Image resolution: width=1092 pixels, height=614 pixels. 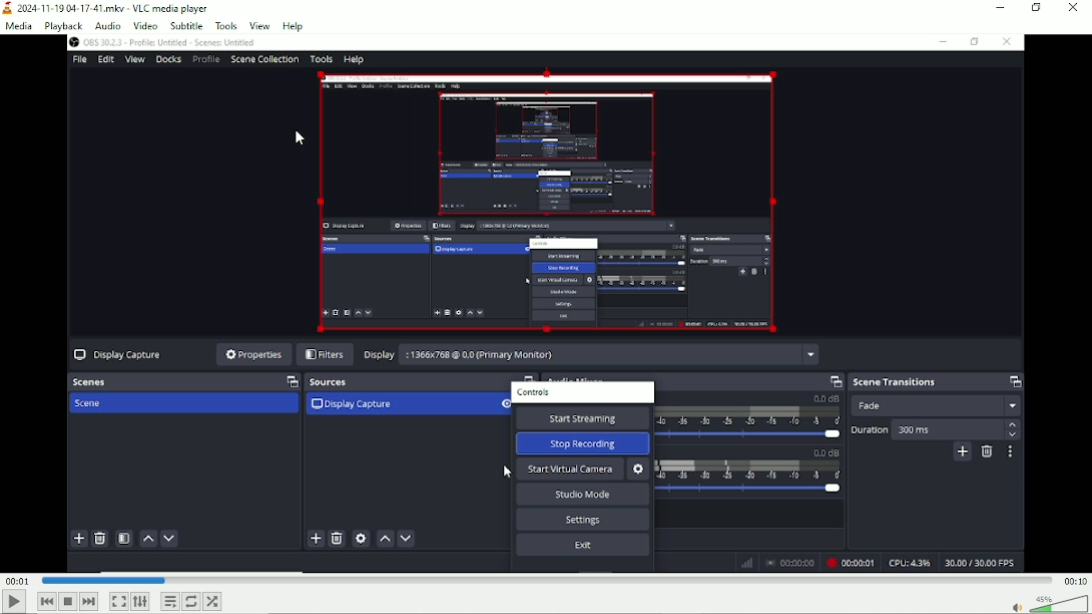 I want to click on Next, so click(x=88, y=602).